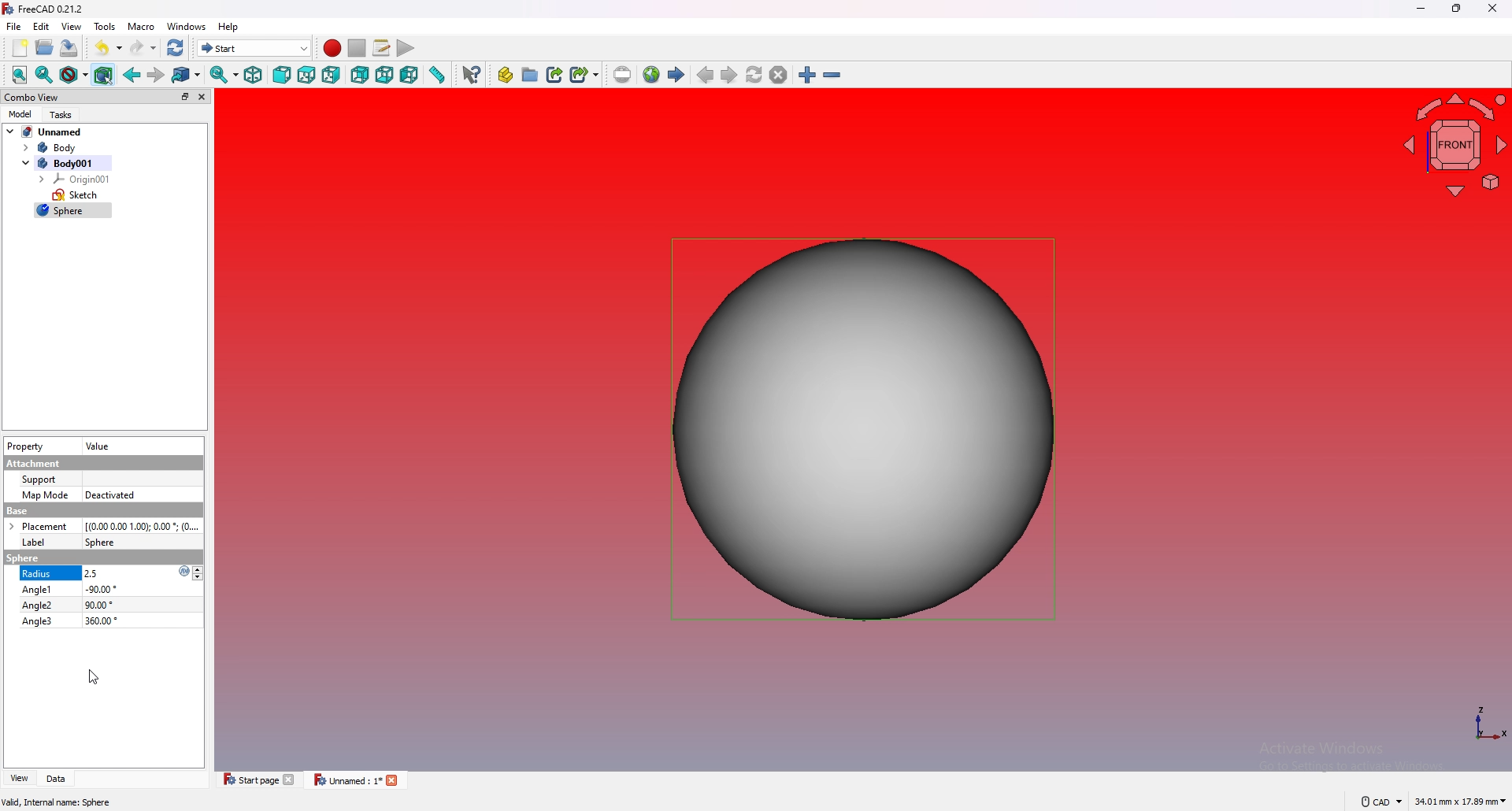  I want to click on redo, so click(144, 47).